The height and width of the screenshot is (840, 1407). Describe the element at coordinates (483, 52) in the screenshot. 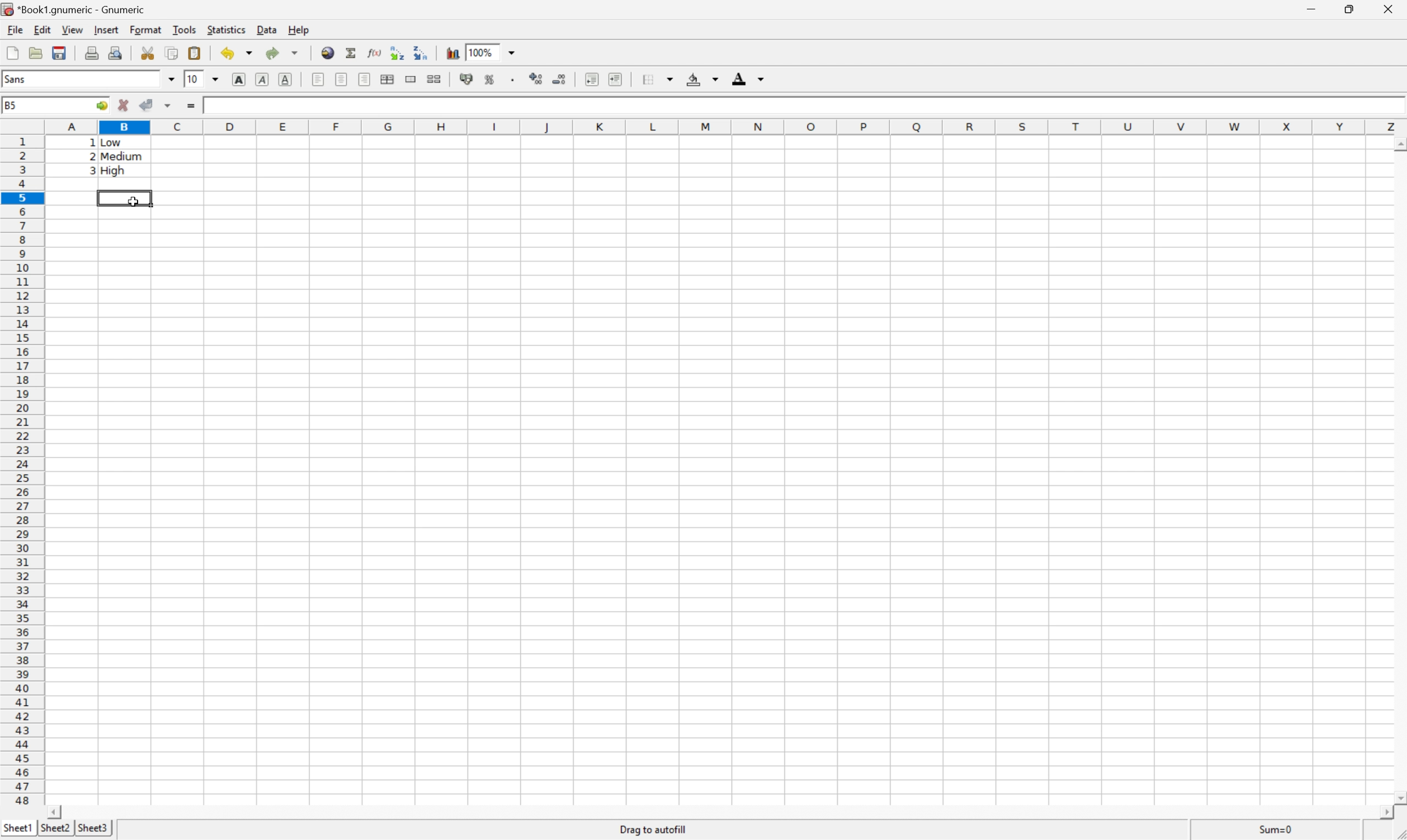

I see `100%` at that location.